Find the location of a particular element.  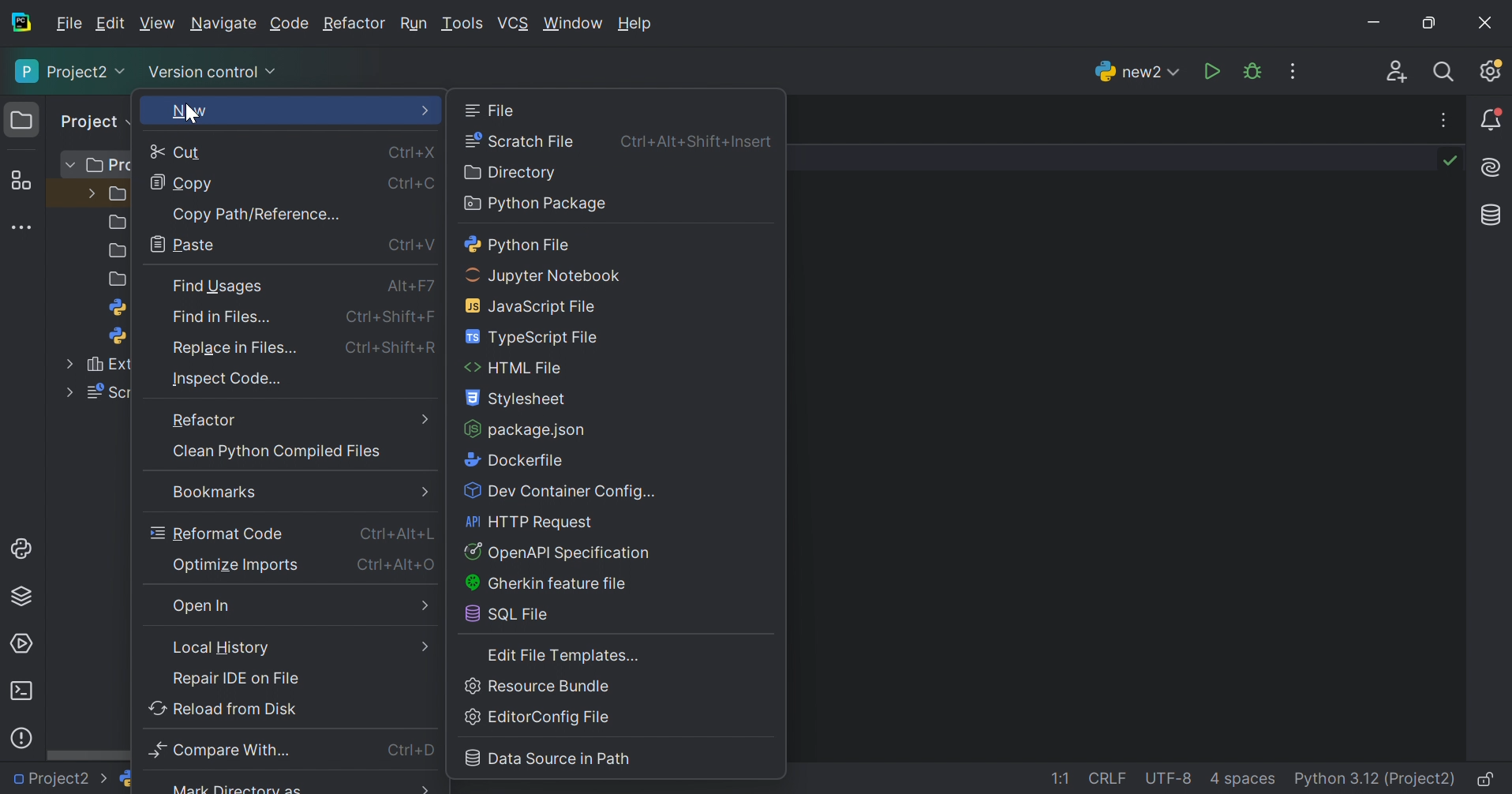

More is located at coordinates (419, 646).